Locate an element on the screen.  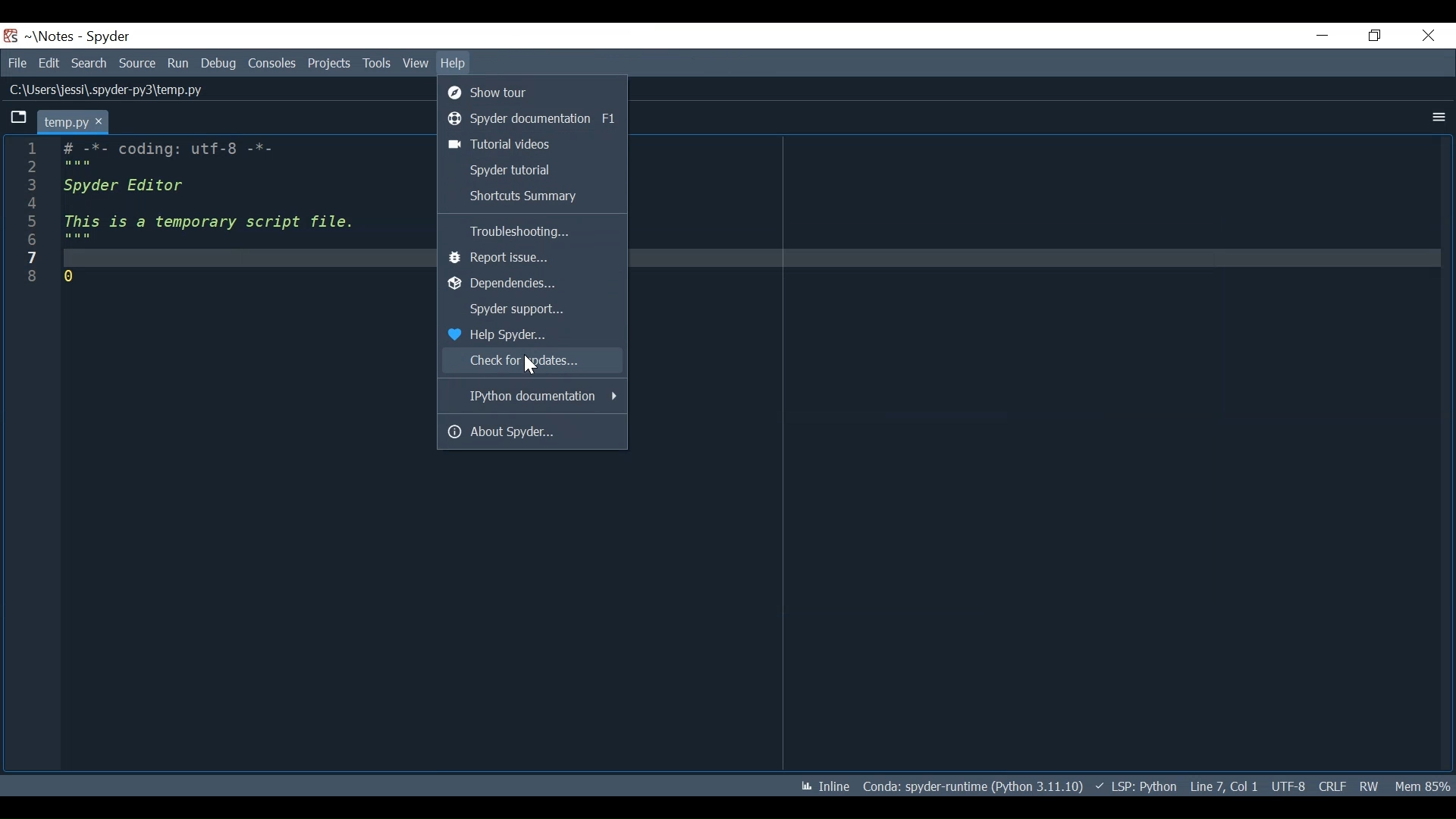
Minimize is located at coordinates (1323, 36).